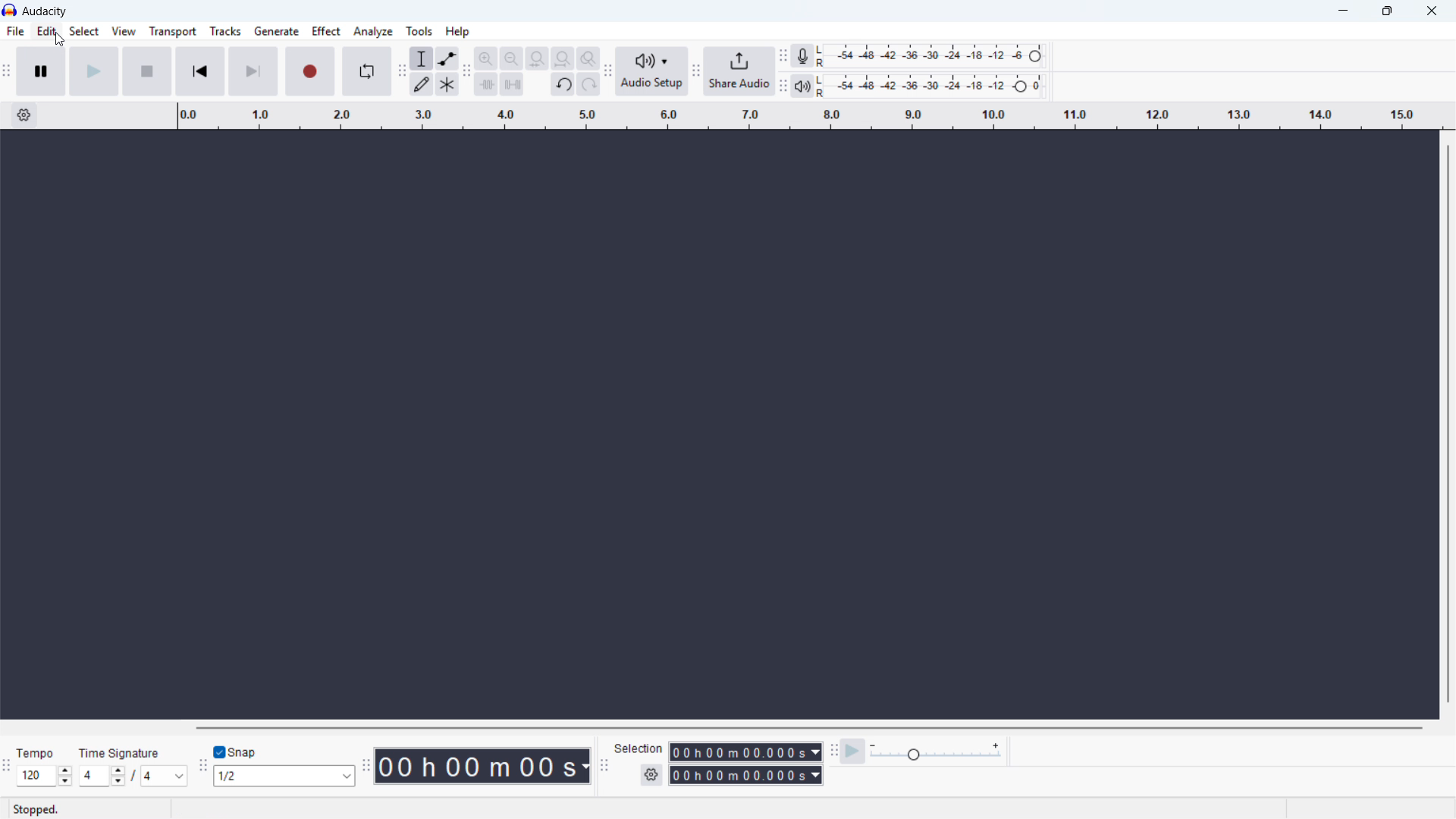 The width and height of the screenshot is (1456, 819). I want to click on undo, so click(563, 85).